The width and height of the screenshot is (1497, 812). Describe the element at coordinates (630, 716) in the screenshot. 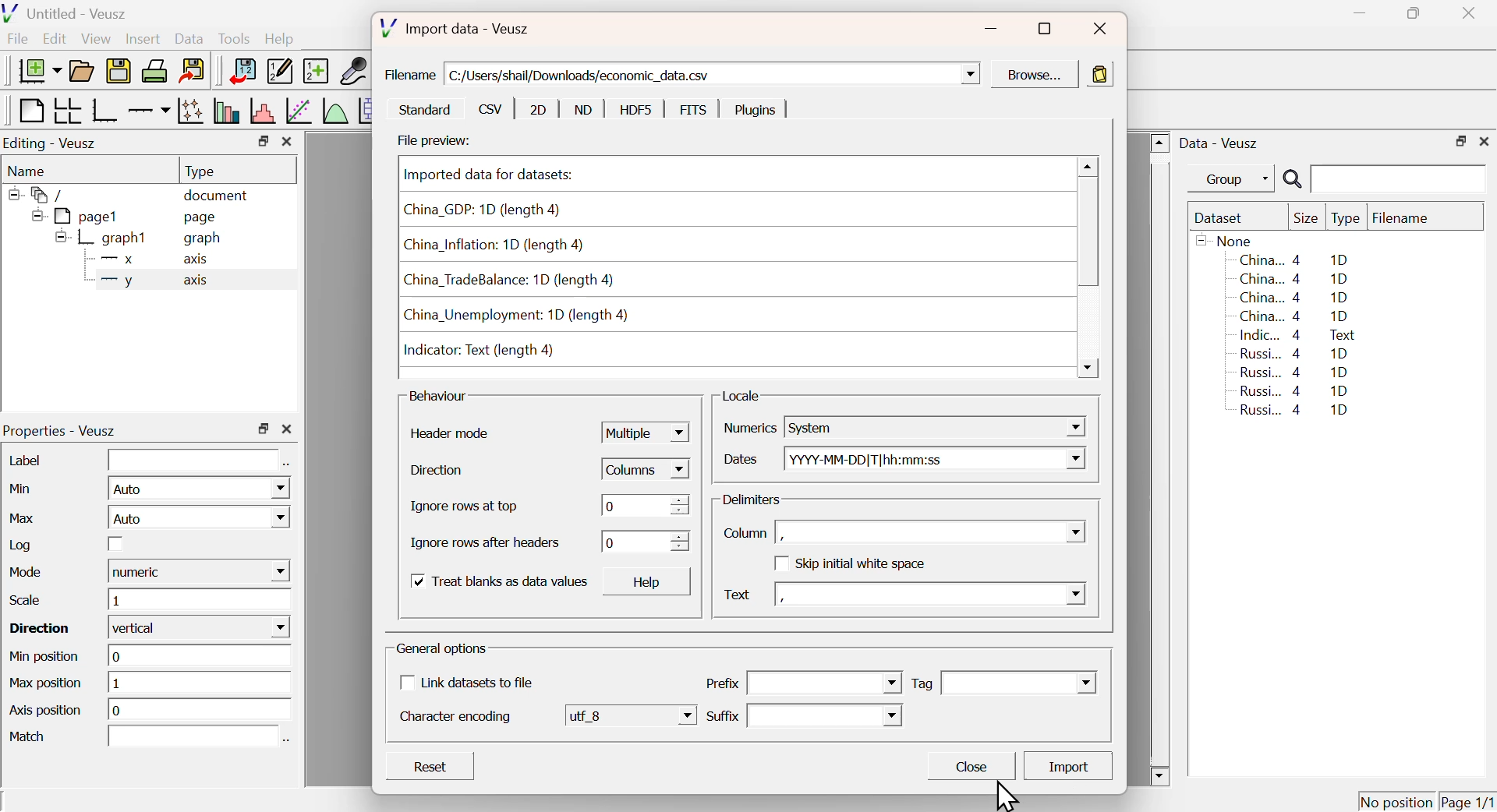

I see `utf 8 ` at that location.